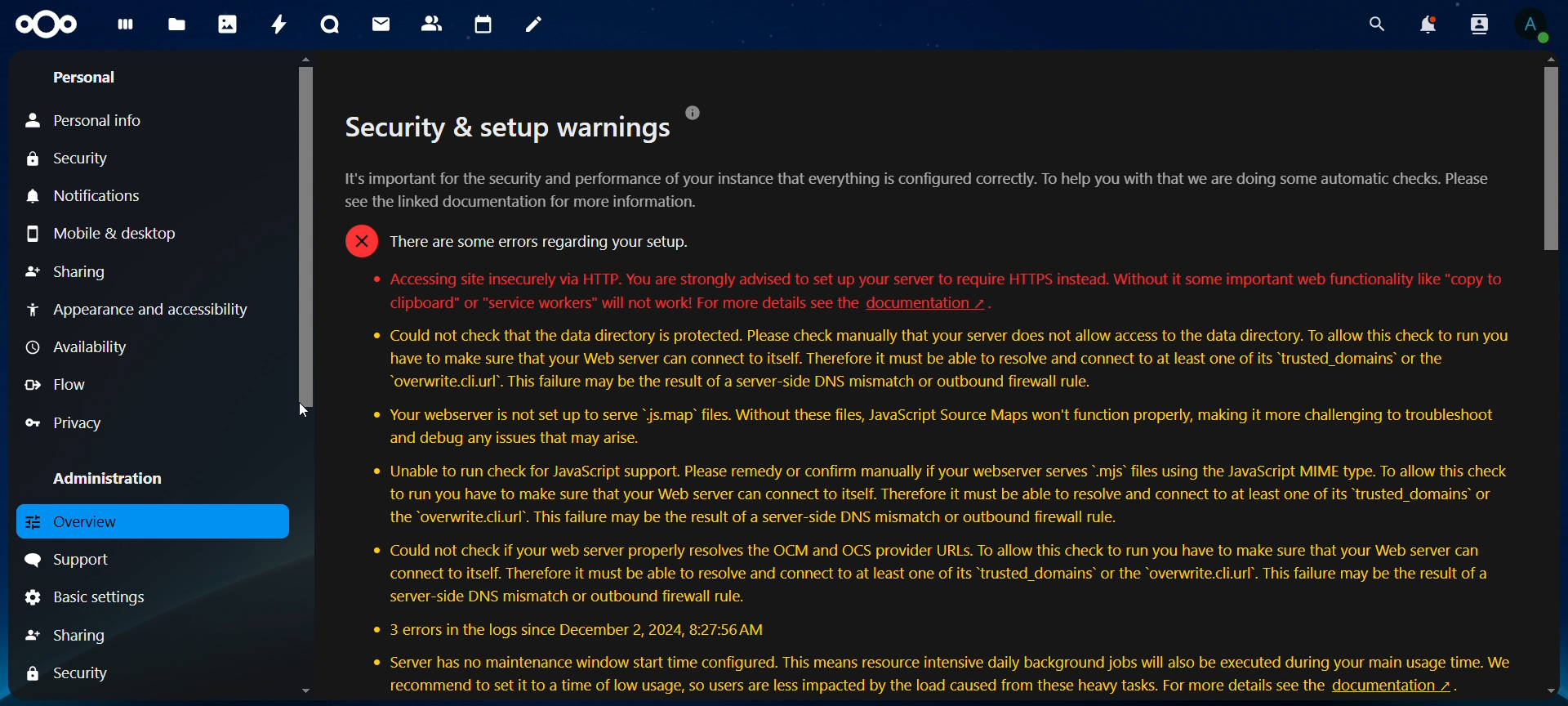 This screenshot has height=706, width=1568. What do you see at coordinates (66, 274) in the screenshot?
I see `sharing` at bounding box center [66, 274].